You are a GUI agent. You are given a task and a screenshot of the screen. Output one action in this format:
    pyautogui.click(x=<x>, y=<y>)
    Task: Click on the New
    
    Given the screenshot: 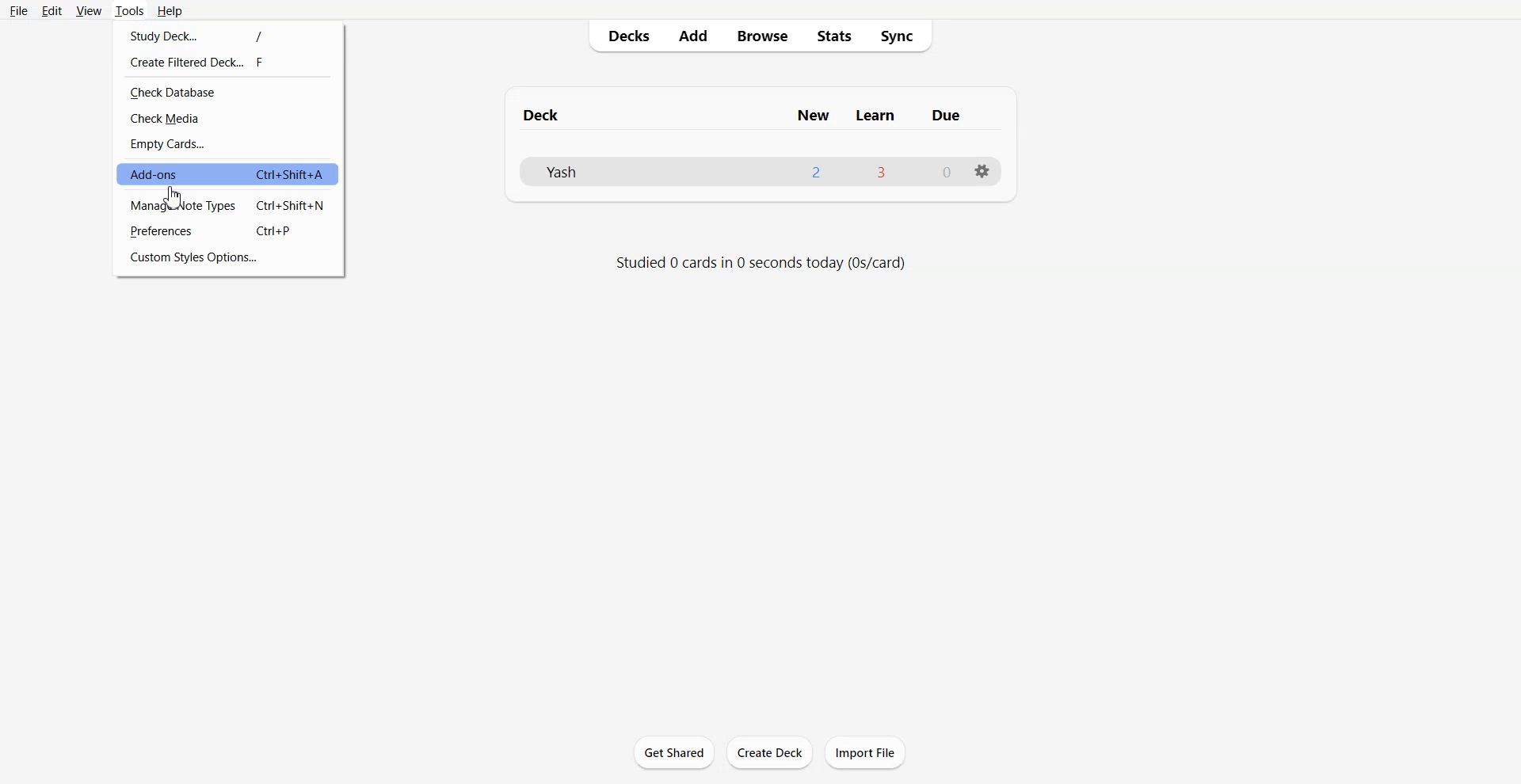 What is the action you would take?
    pyautogui.click(x=813, y=115)
    